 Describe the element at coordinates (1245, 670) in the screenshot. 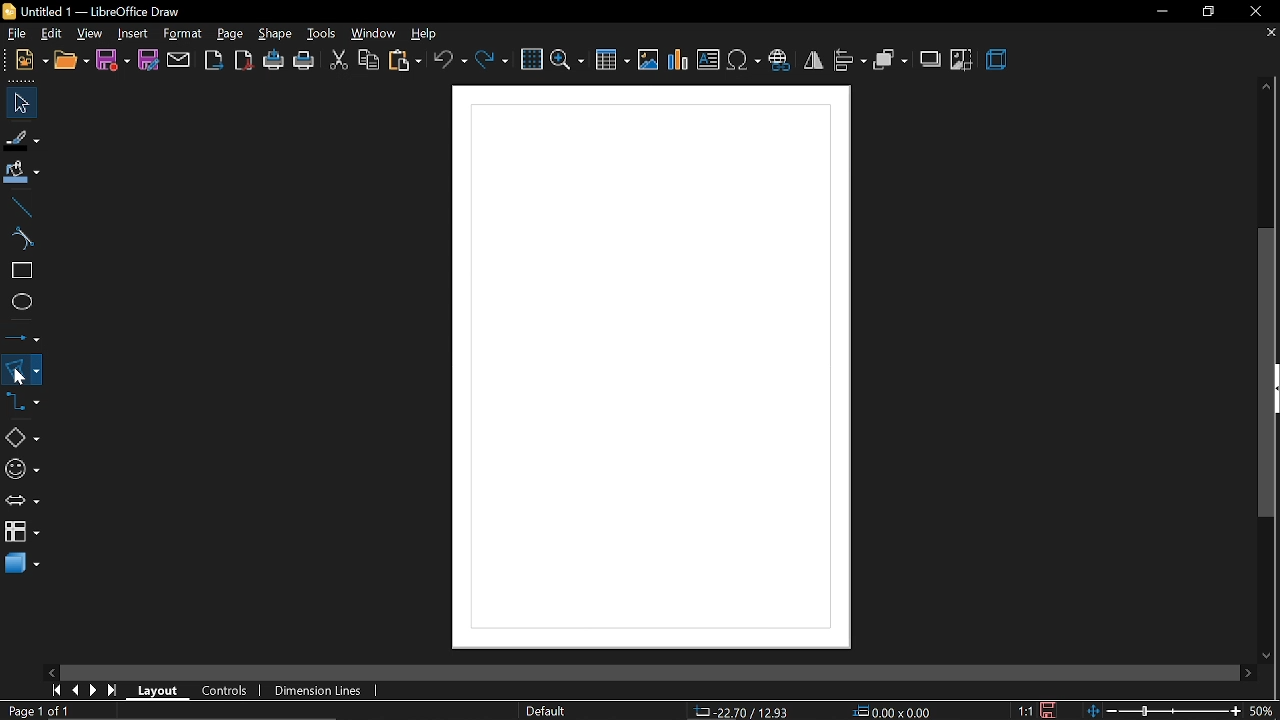

I see `move right` at that location.